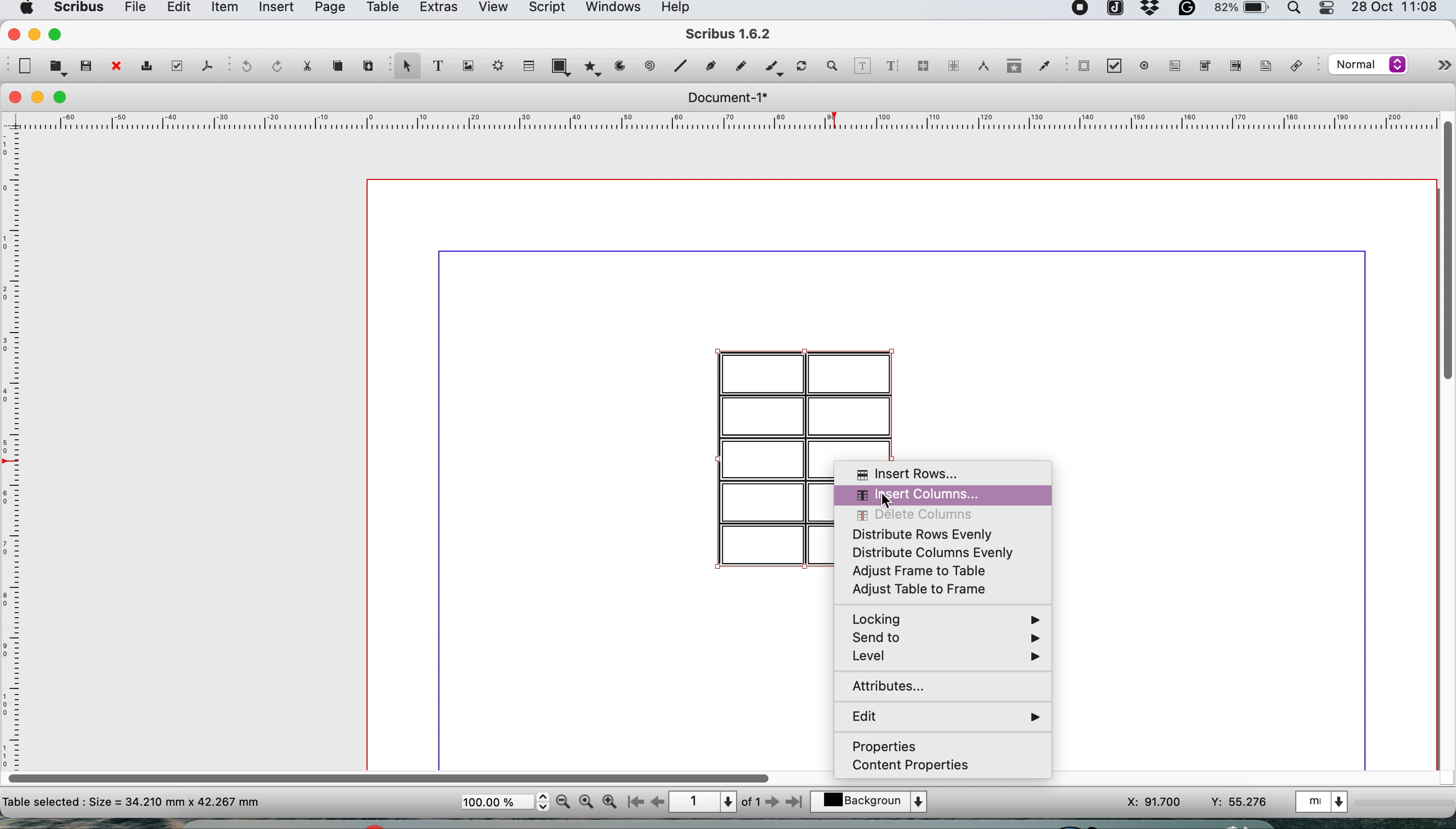  Describe the element at coordinates (1118, 67) in the screenshot. I see `pdf check button` at that location.